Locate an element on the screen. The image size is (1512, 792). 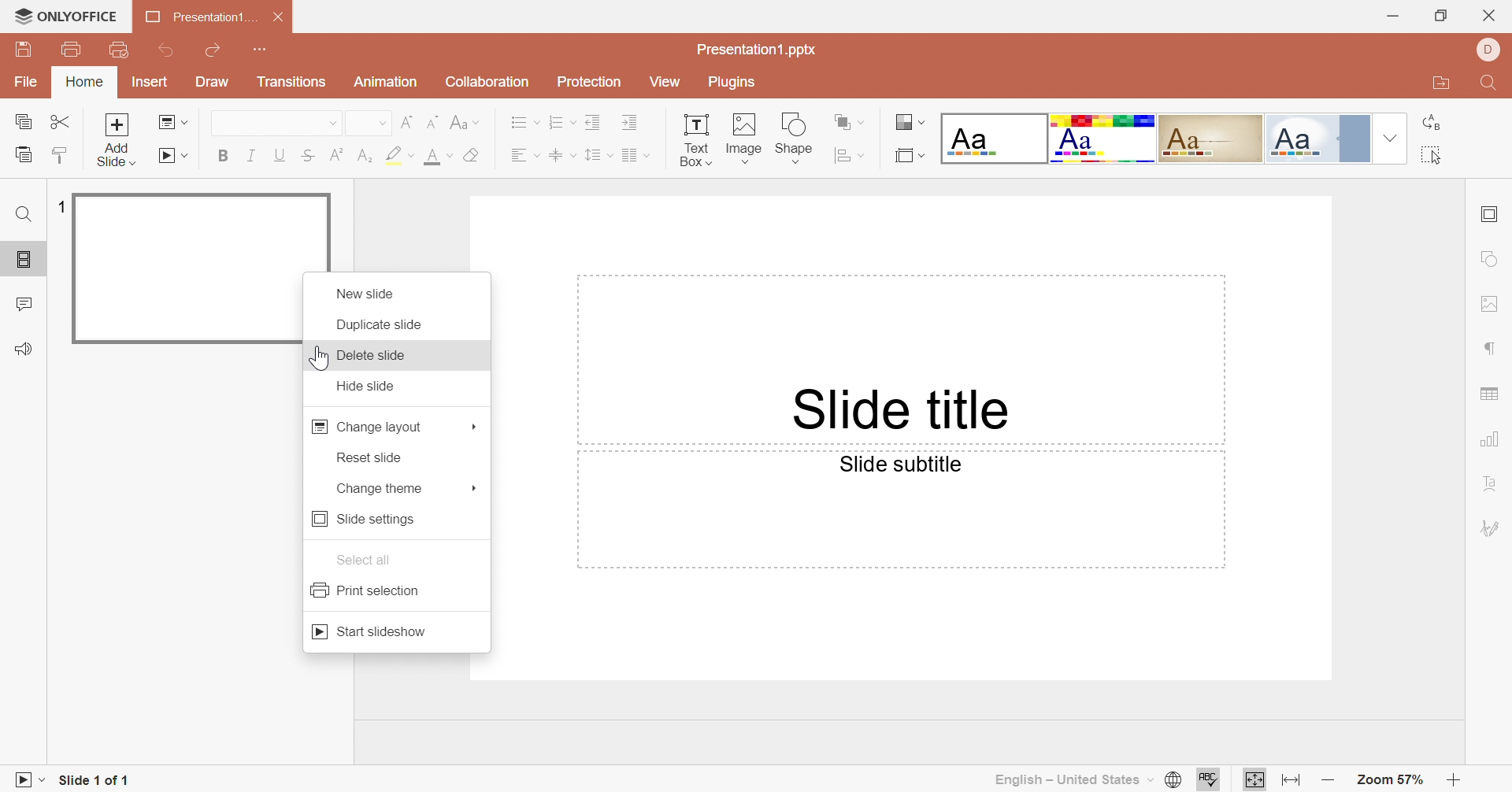
Start slideshow is located at coordinates (168, 155).